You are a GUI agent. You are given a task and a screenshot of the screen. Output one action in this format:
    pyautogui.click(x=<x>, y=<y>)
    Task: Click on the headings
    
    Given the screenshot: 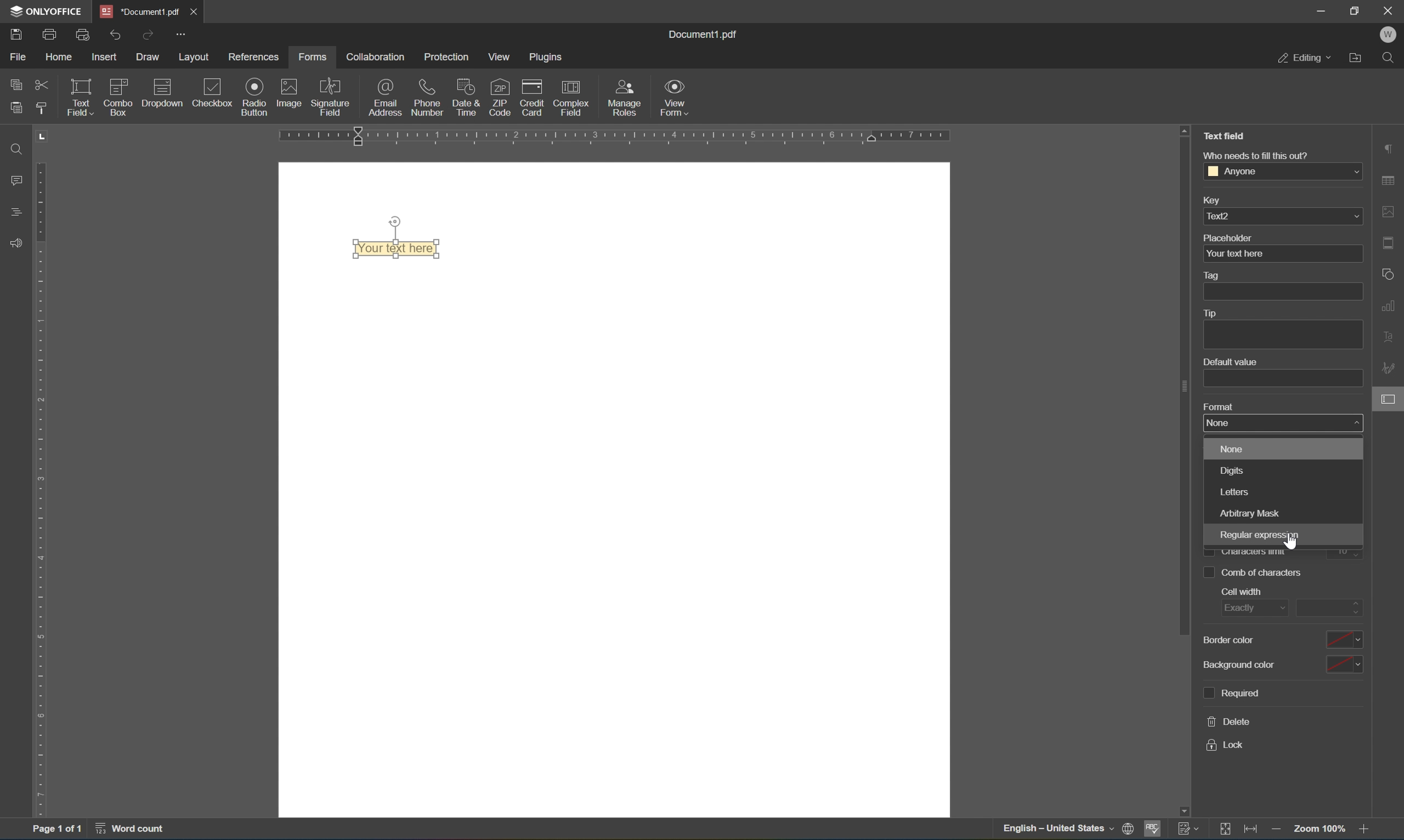 What is the action you would take?
    pyautogui.click(x=11, y=211)
    